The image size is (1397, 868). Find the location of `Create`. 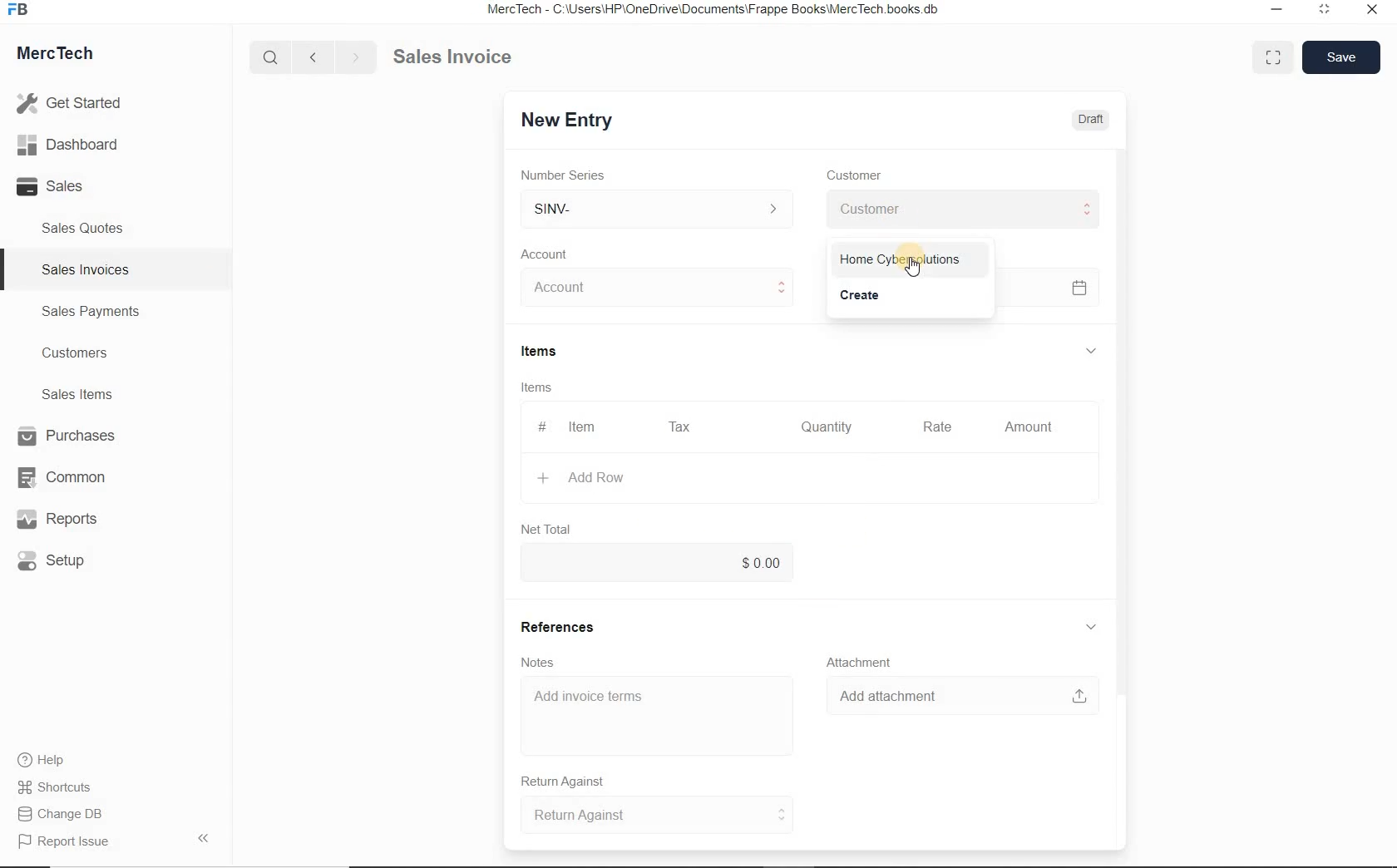

Create is located at coordinates (912, 297).